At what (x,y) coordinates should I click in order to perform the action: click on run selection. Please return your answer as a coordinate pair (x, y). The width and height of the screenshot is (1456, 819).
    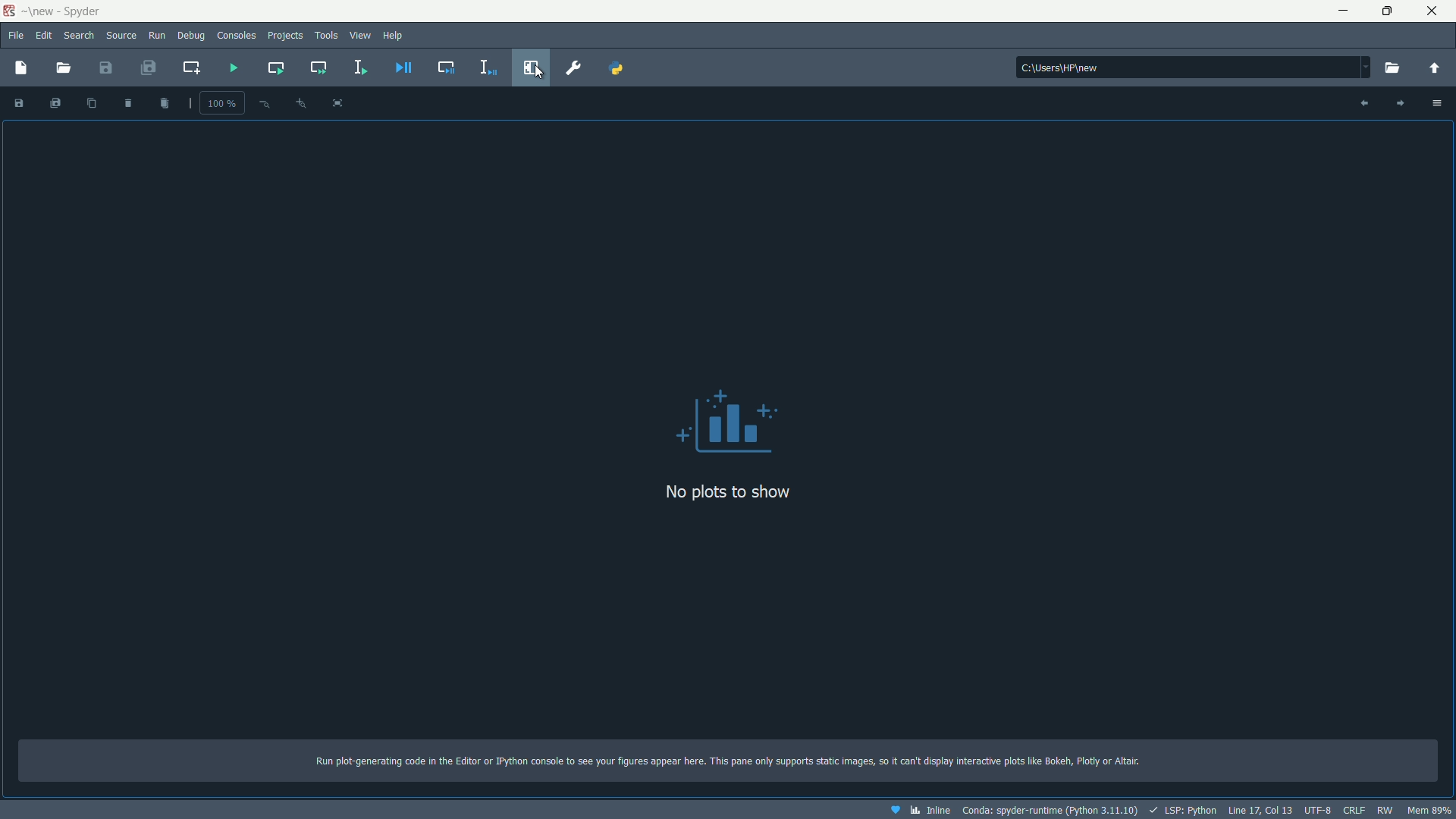
    Looking at the image, I should click on (360, 66).